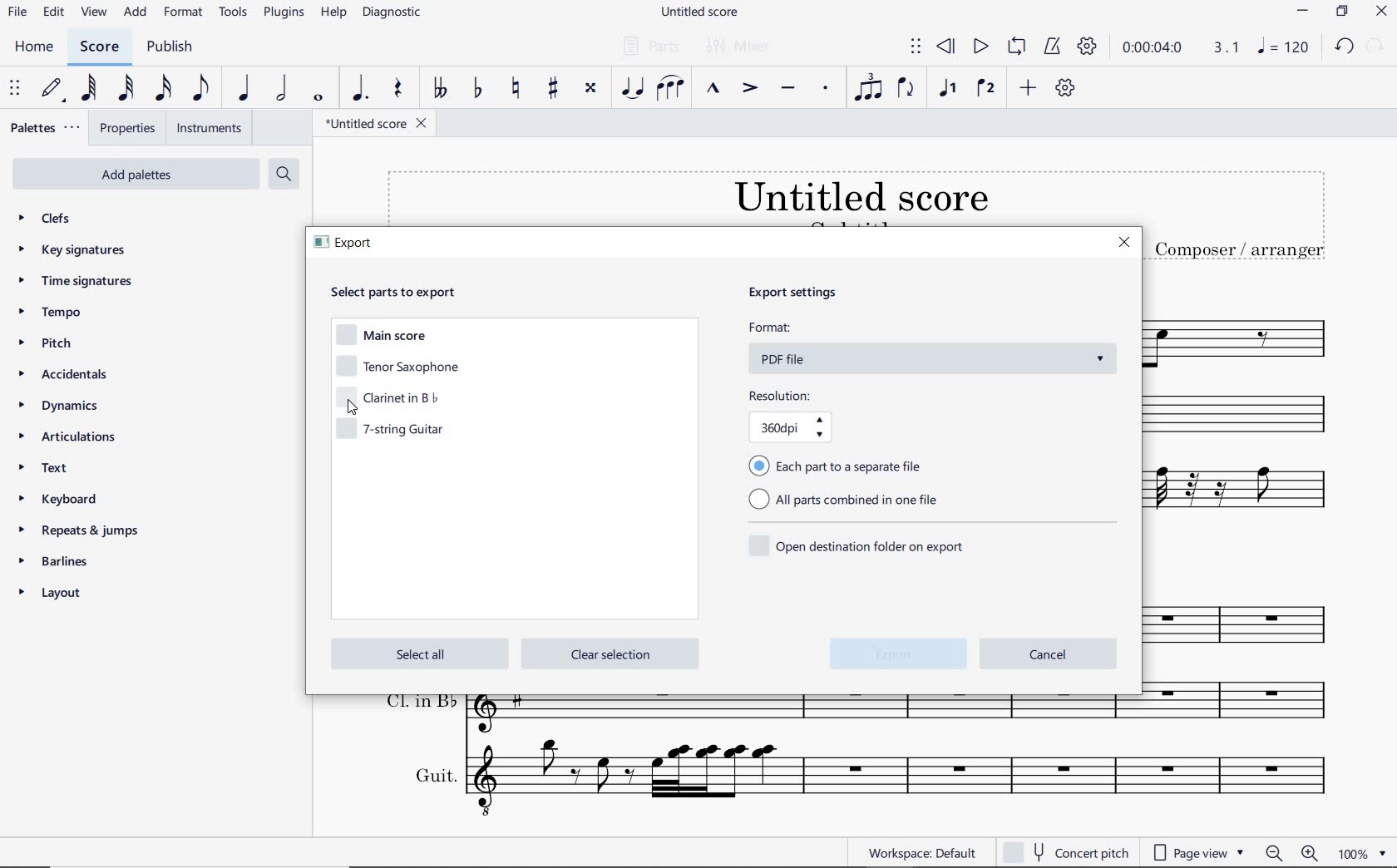 This screenshot has height=868, width=1397. I want to click on ADD, so click(1030, 87).